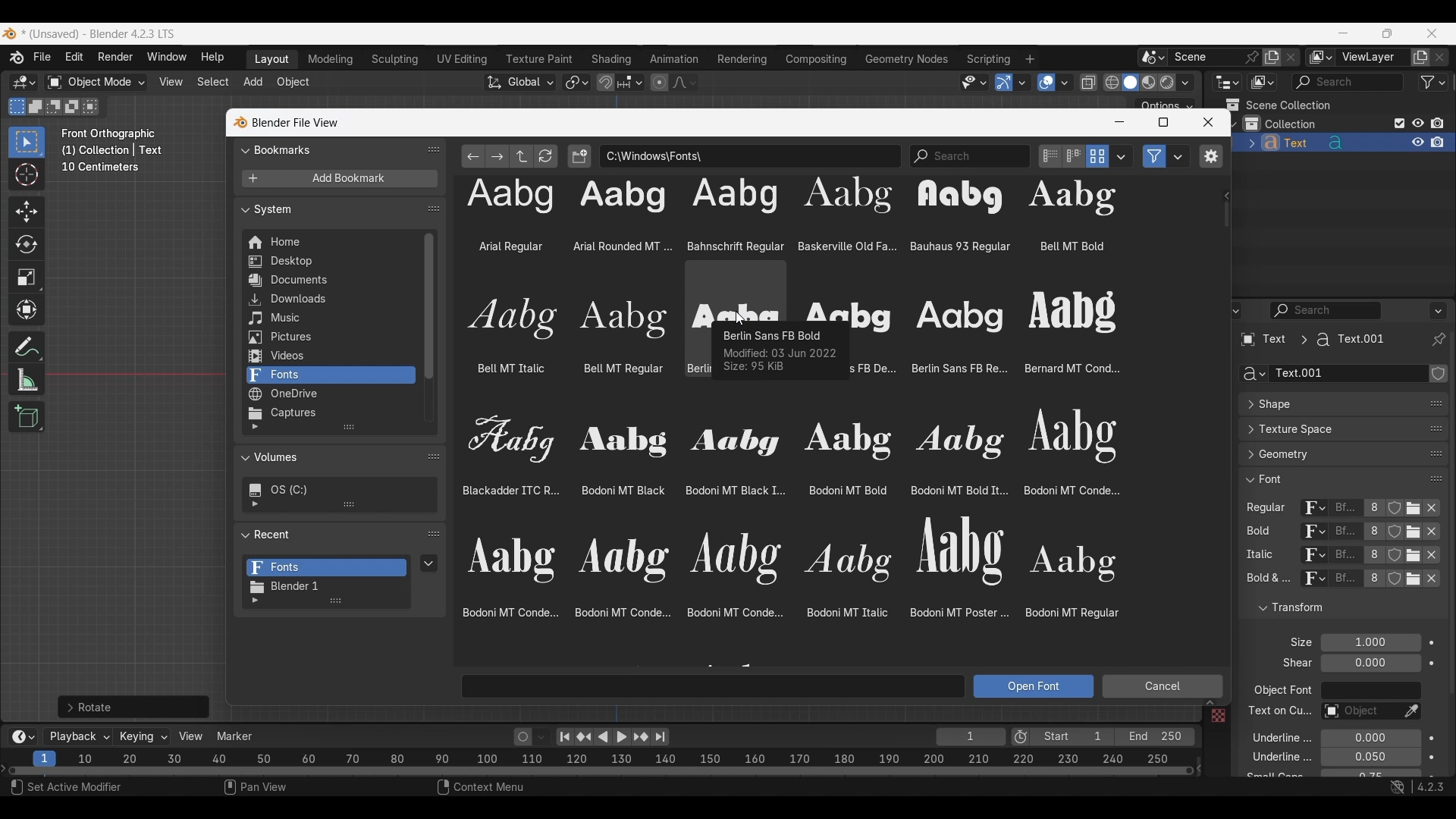 This screenshot has width=1456, height=819. What do you see at coordinates (72, 107) in the screenshot?
I see `Invert existing selection` at bounding box center [72, 107].